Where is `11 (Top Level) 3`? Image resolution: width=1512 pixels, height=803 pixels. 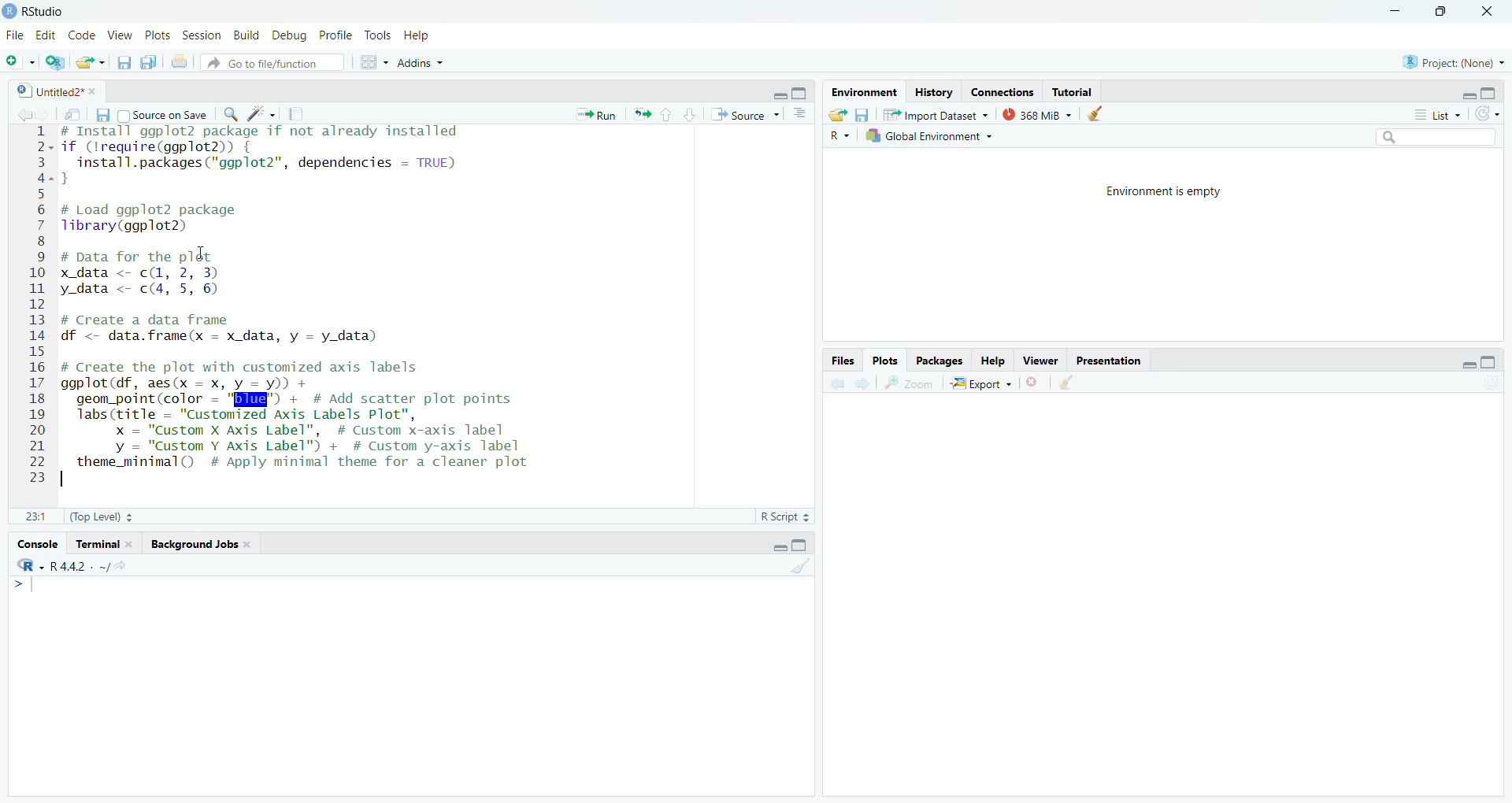 11 (Top Level) 3 is located at coordinates (88, 517).